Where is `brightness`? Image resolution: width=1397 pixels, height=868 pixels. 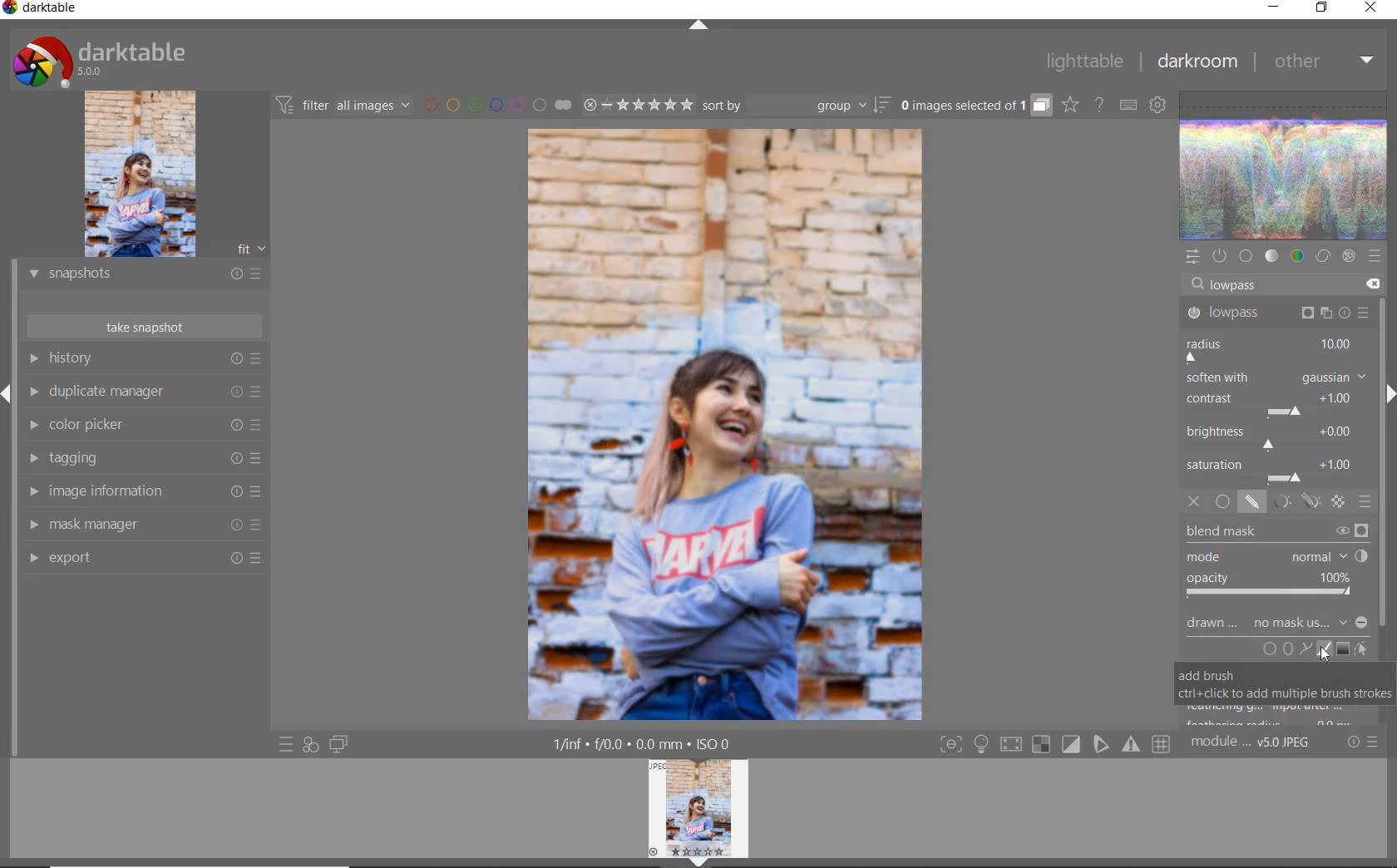 brightness is located at coordinates (1275, 436).